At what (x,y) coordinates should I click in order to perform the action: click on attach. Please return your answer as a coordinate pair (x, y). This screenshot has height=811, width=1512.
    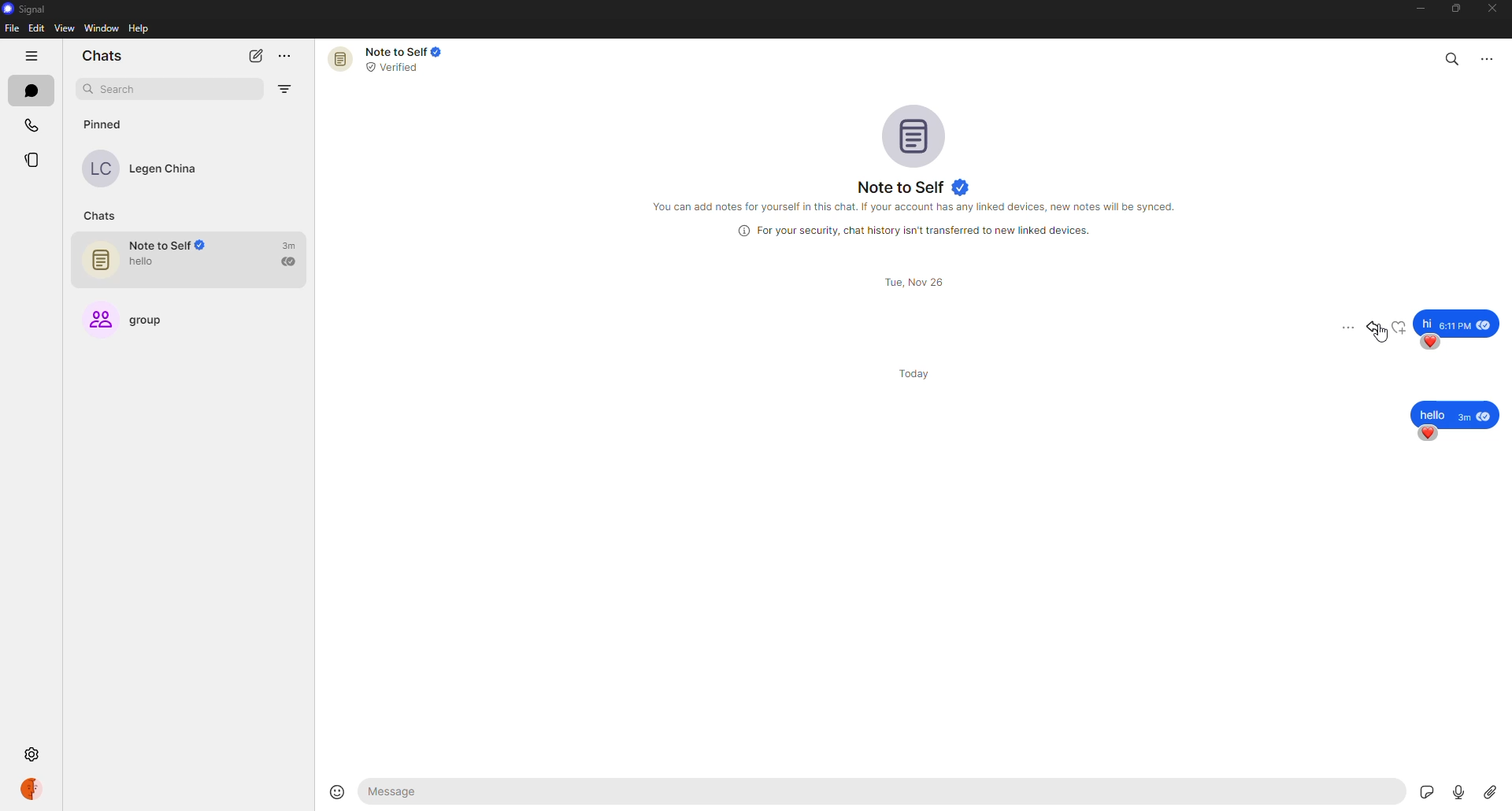
    Looking at the image, I should click on (1492, 791).